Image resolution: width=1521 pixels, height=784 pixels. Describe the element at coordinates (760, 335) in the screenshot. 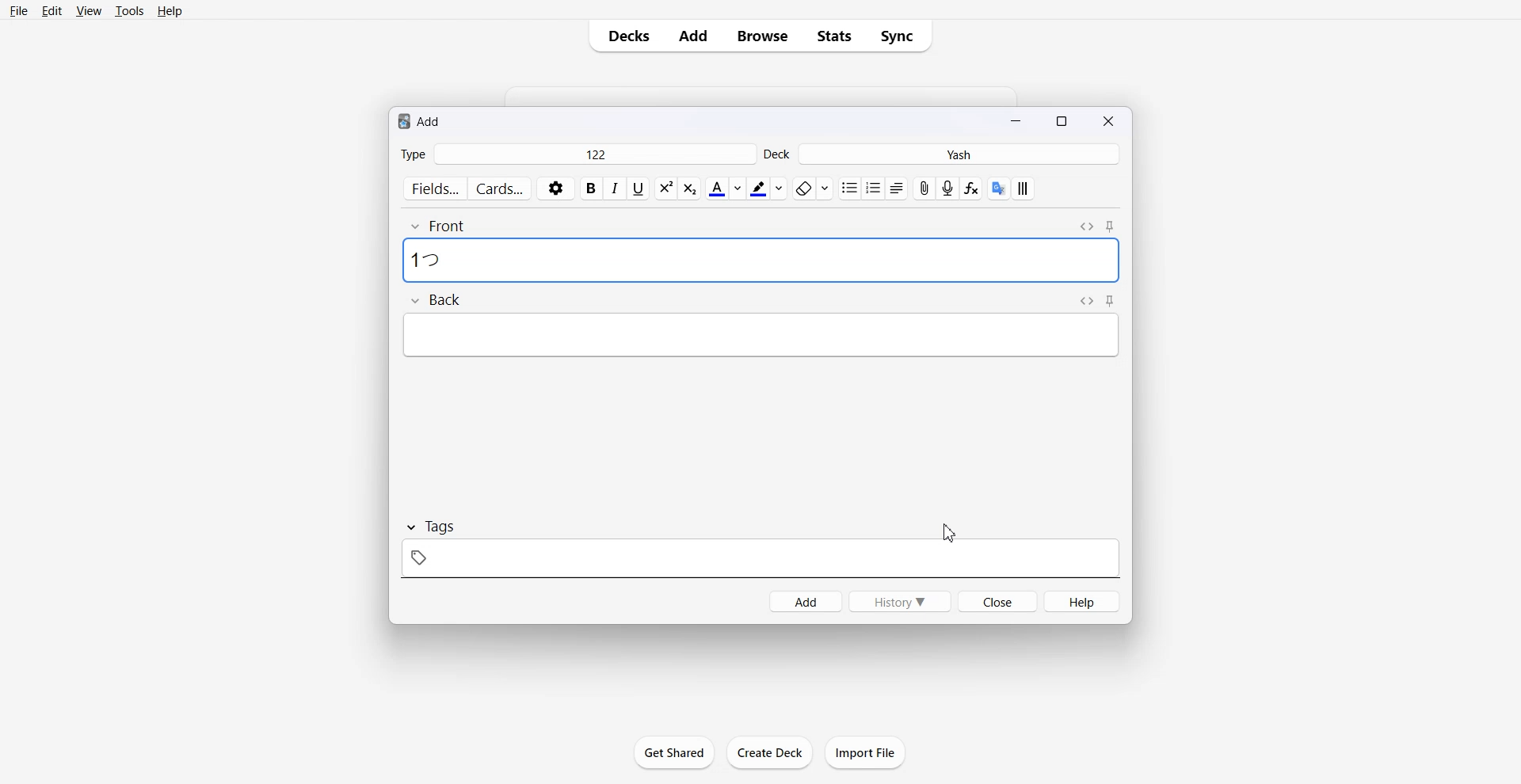

I see `typing space` at that location.